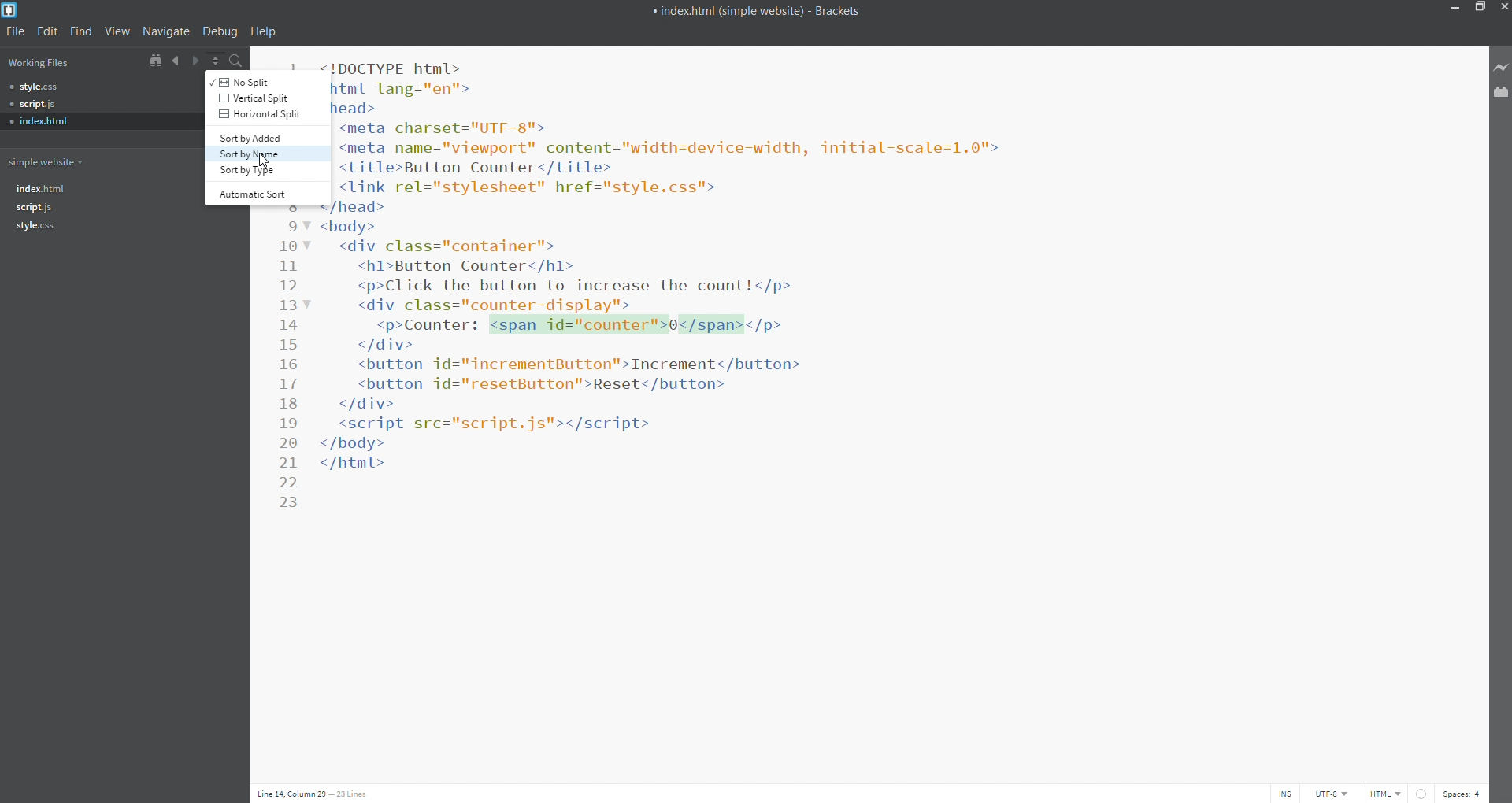  Describe the element at coordinates (80, 190) in the screenshot. I see `index.html` at that location.